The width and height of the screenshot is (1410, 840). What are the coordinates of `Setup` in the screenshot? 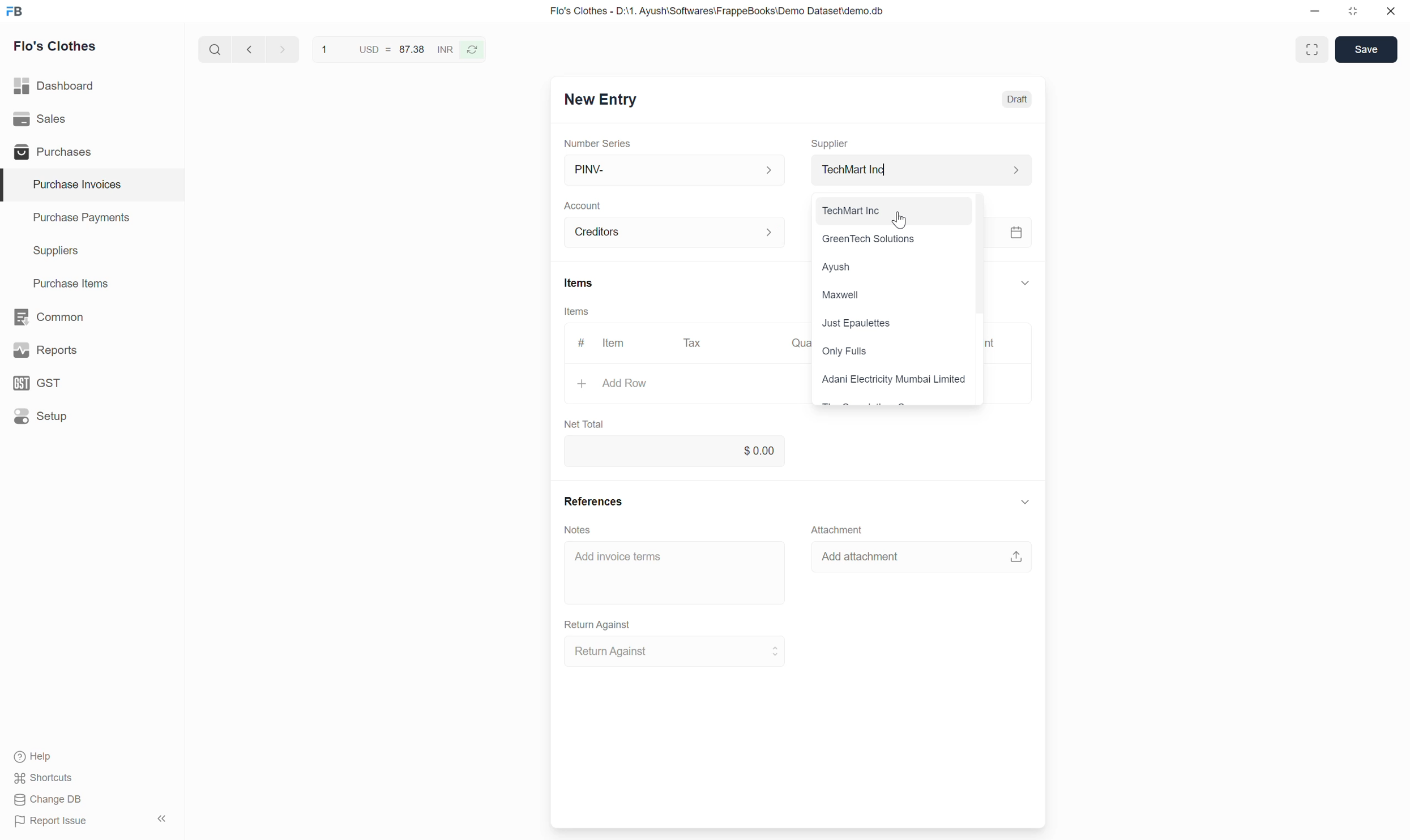 It's located at (41, 417).